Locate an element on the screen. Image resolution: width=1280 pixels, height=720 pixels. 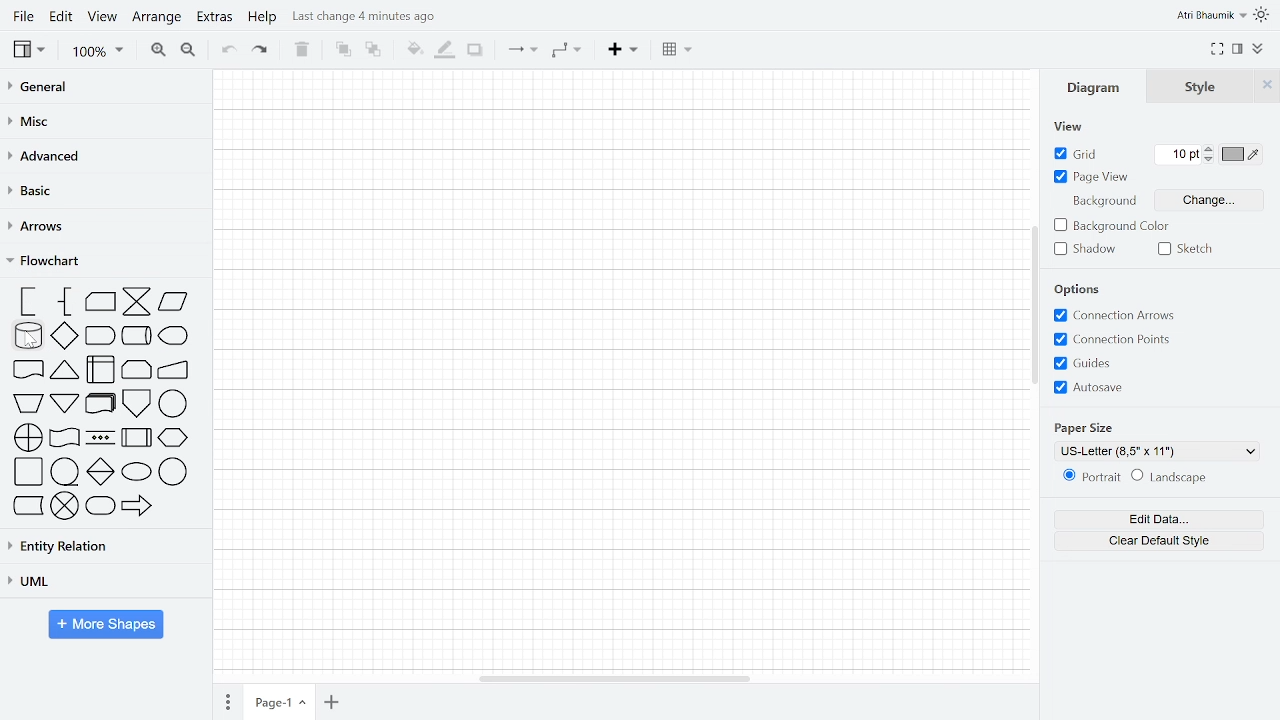
Sketch is located at coordinates (1186, 250).